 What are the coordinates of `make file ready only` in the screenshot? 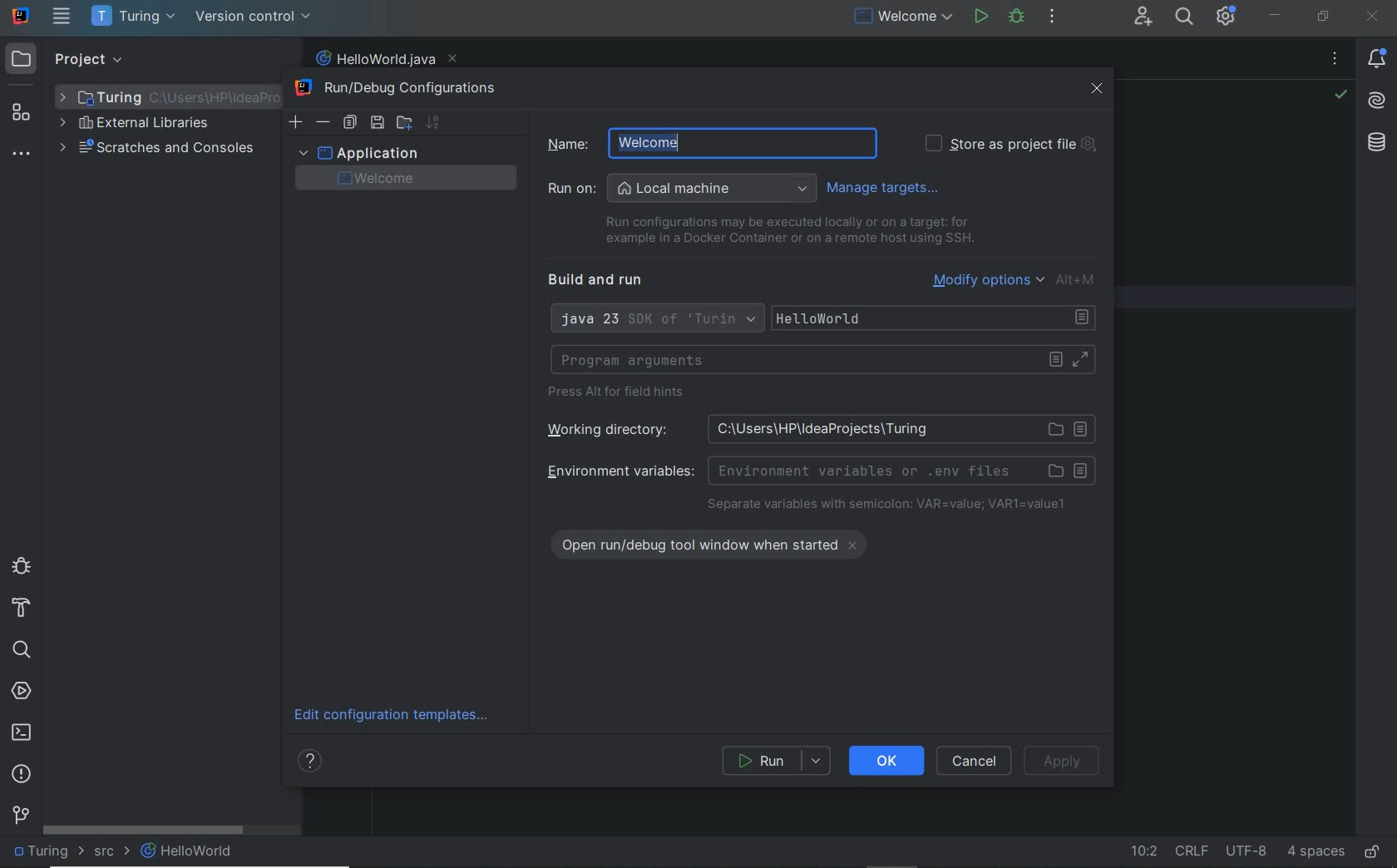 It's located at (1373, 853).